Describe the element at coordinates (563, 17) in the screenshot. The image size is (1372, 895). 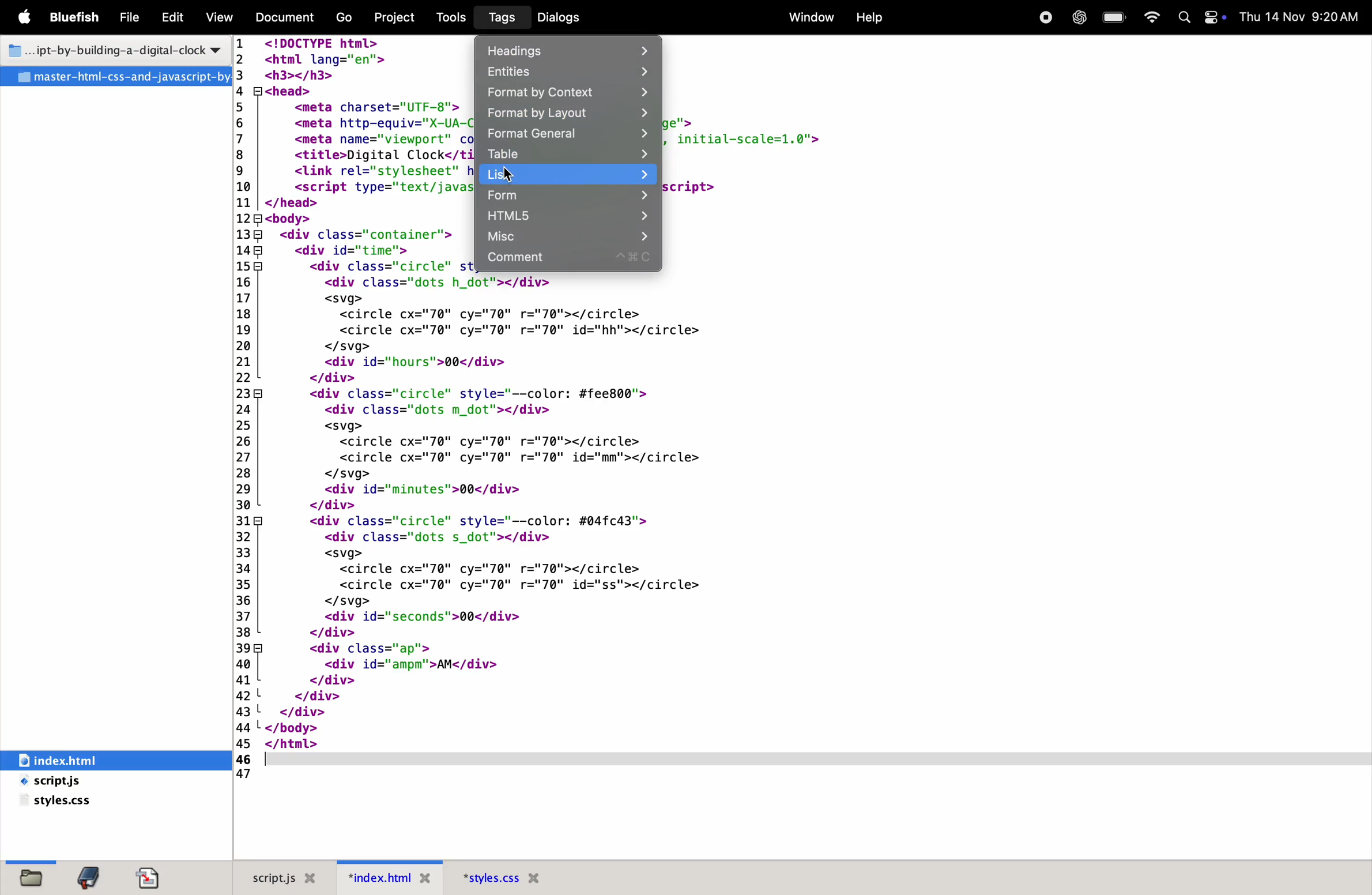
I see `Dialogs` at that location.